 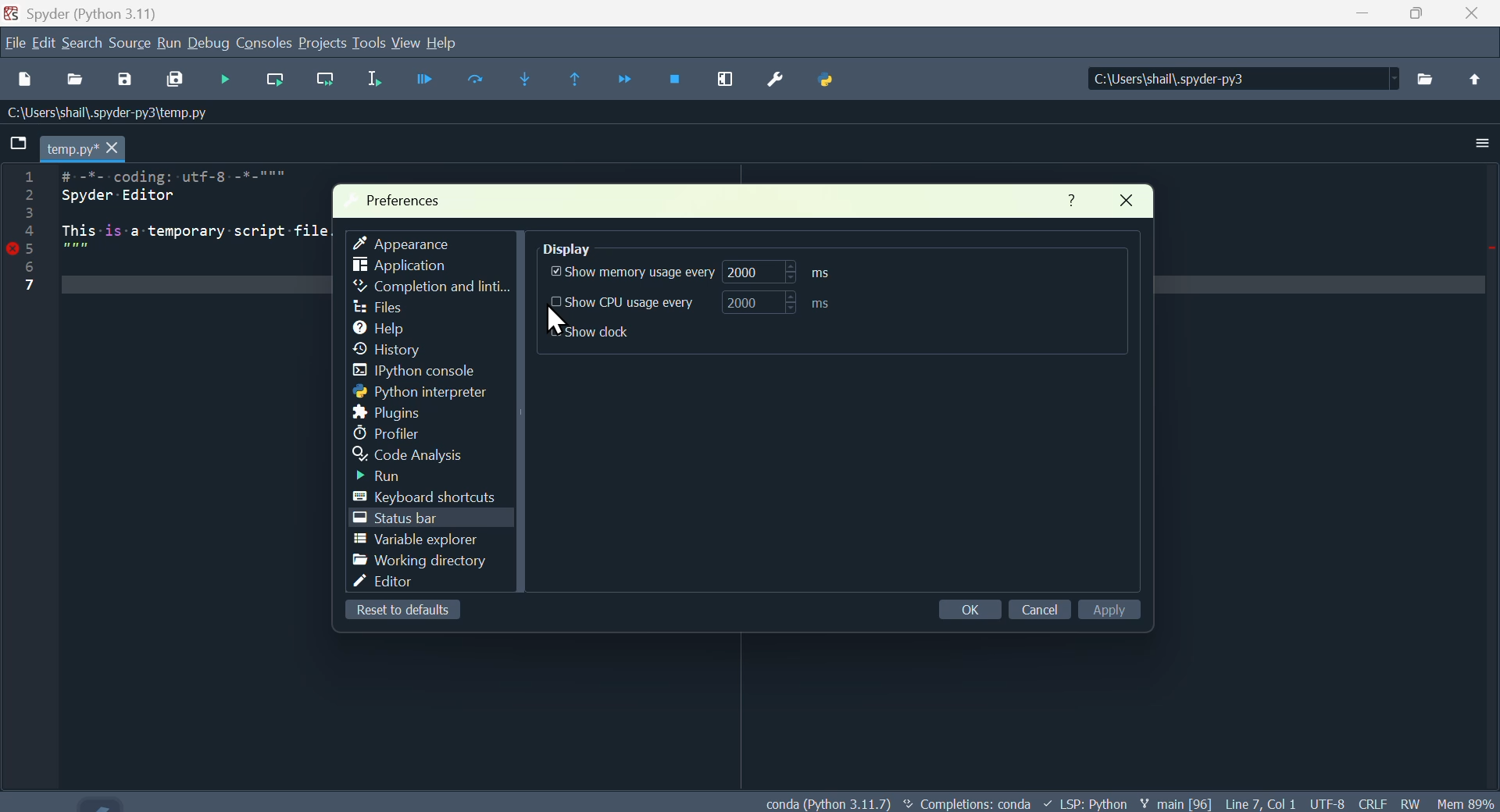 I want to click on Debug, so click(x=210, y=44).